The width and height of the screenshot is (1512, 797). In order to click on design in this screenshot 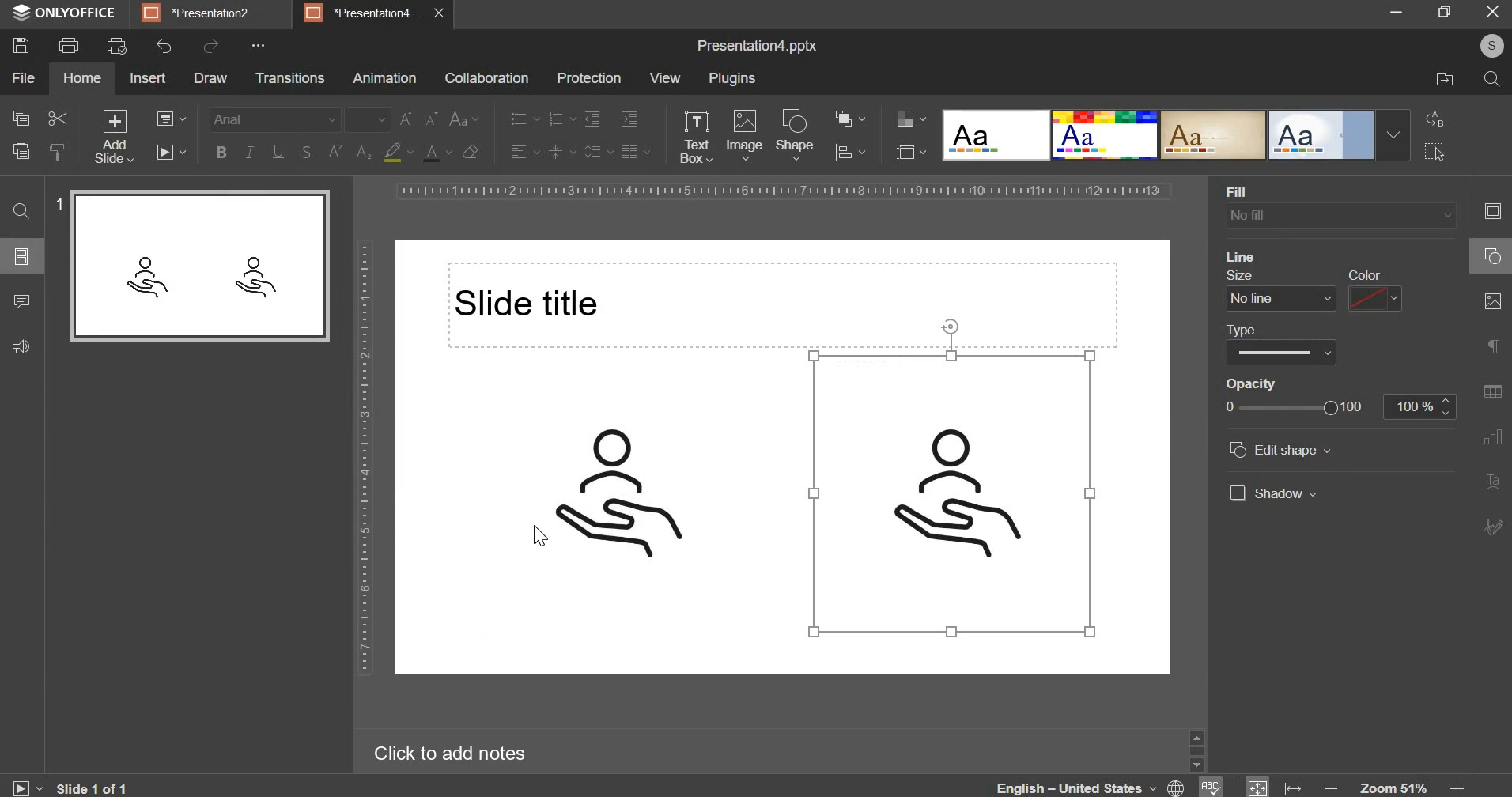, I will do `click(1323, 136)`.